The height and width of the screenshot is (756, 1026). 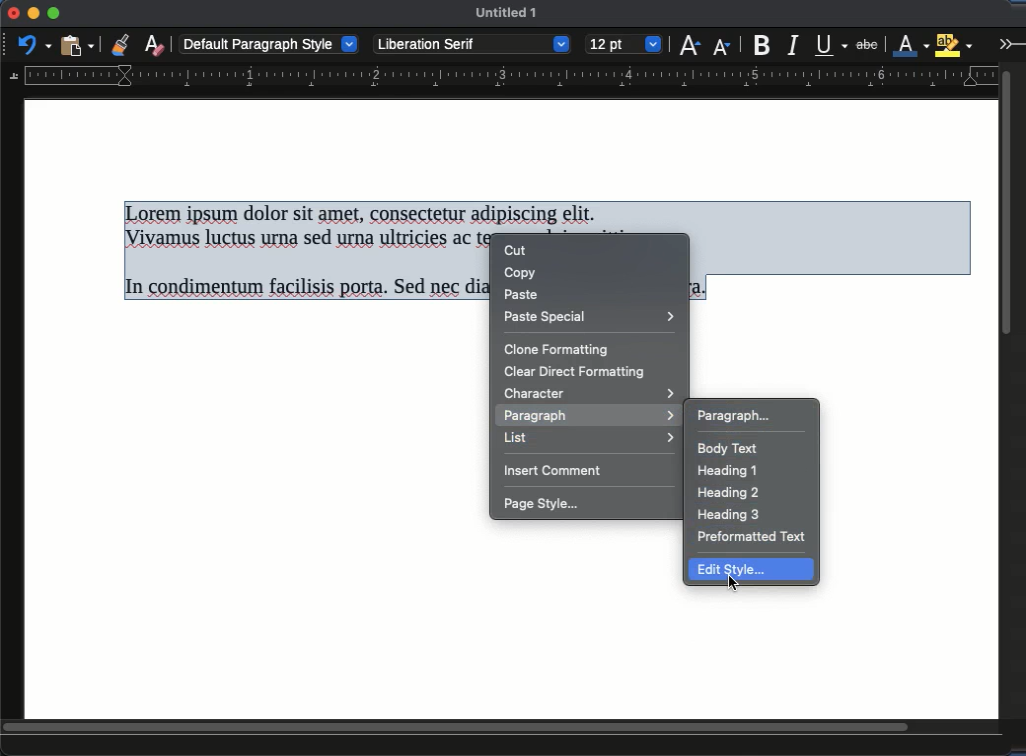 What do you see at coordinates (473, 44) in the screenshot?
I see `Liberation serif - font` at bounding box center [473, 44].